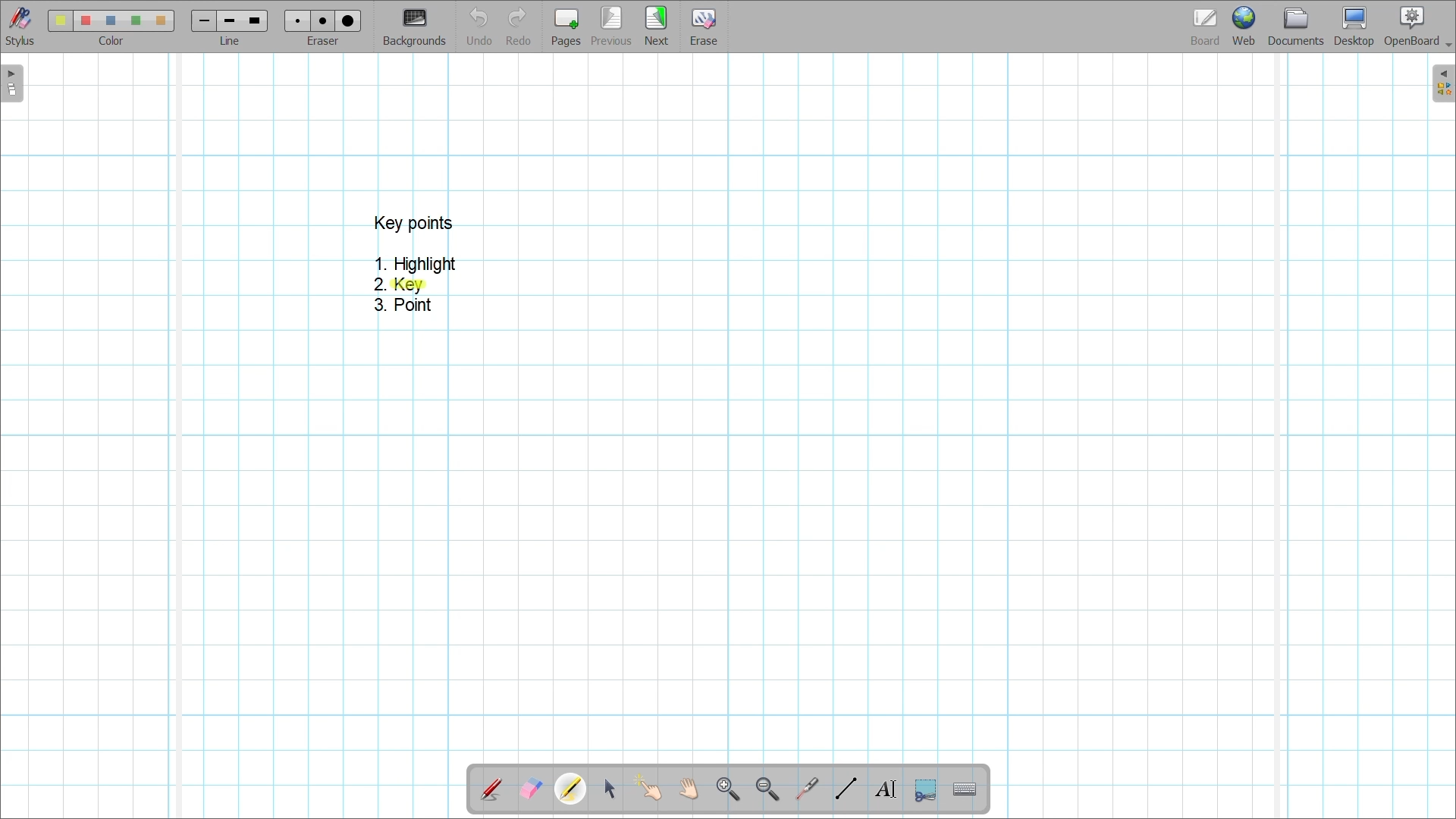 Image resolution: width=1456 pixels, height=819 pixels. What do you see at coordinates (703, 27) in the screenshot?
I see `Erase entire page` at bounding box center [703, 27].